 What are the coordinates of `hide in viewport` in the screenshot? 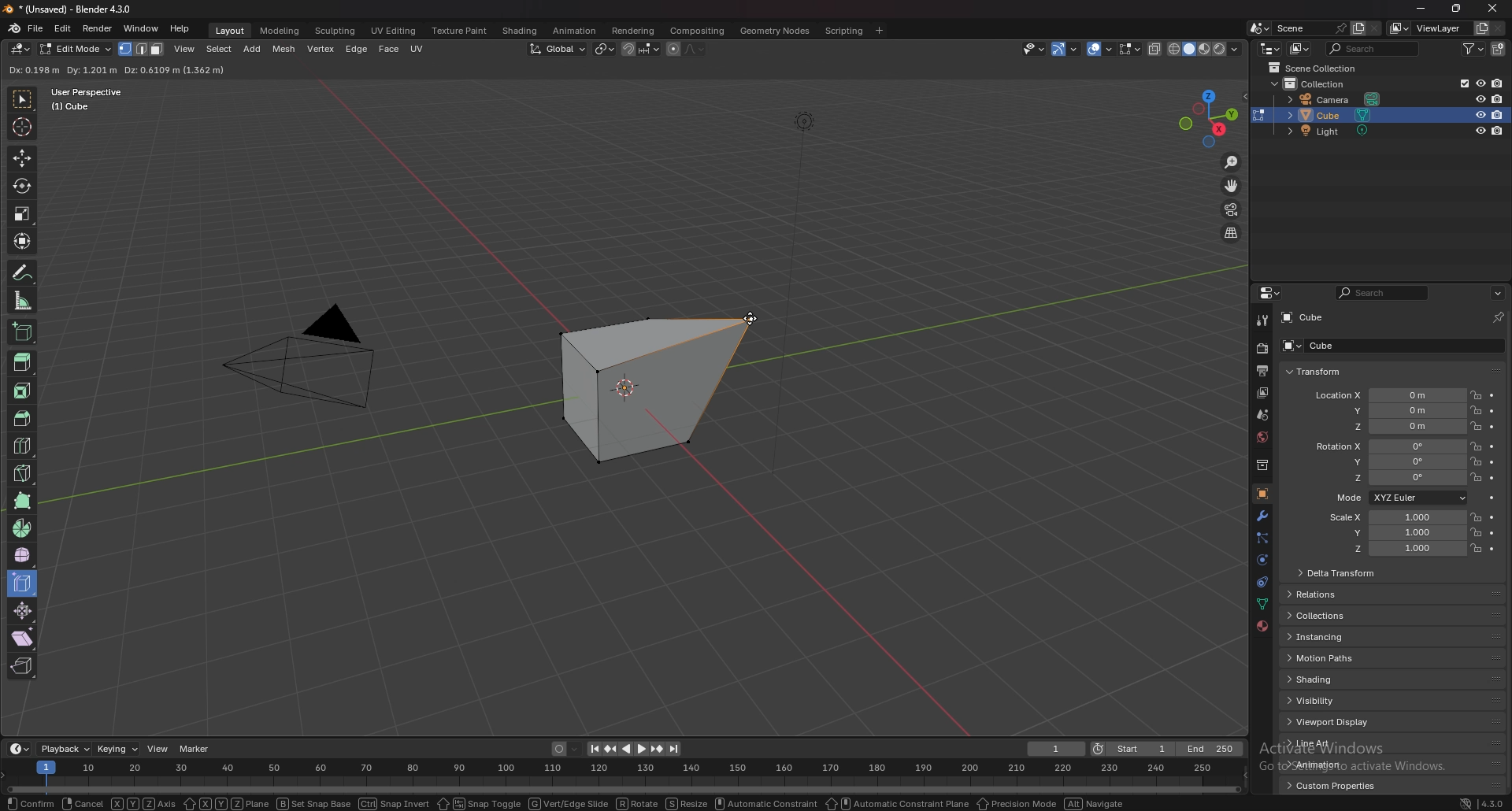 It's located at (1478, 131).